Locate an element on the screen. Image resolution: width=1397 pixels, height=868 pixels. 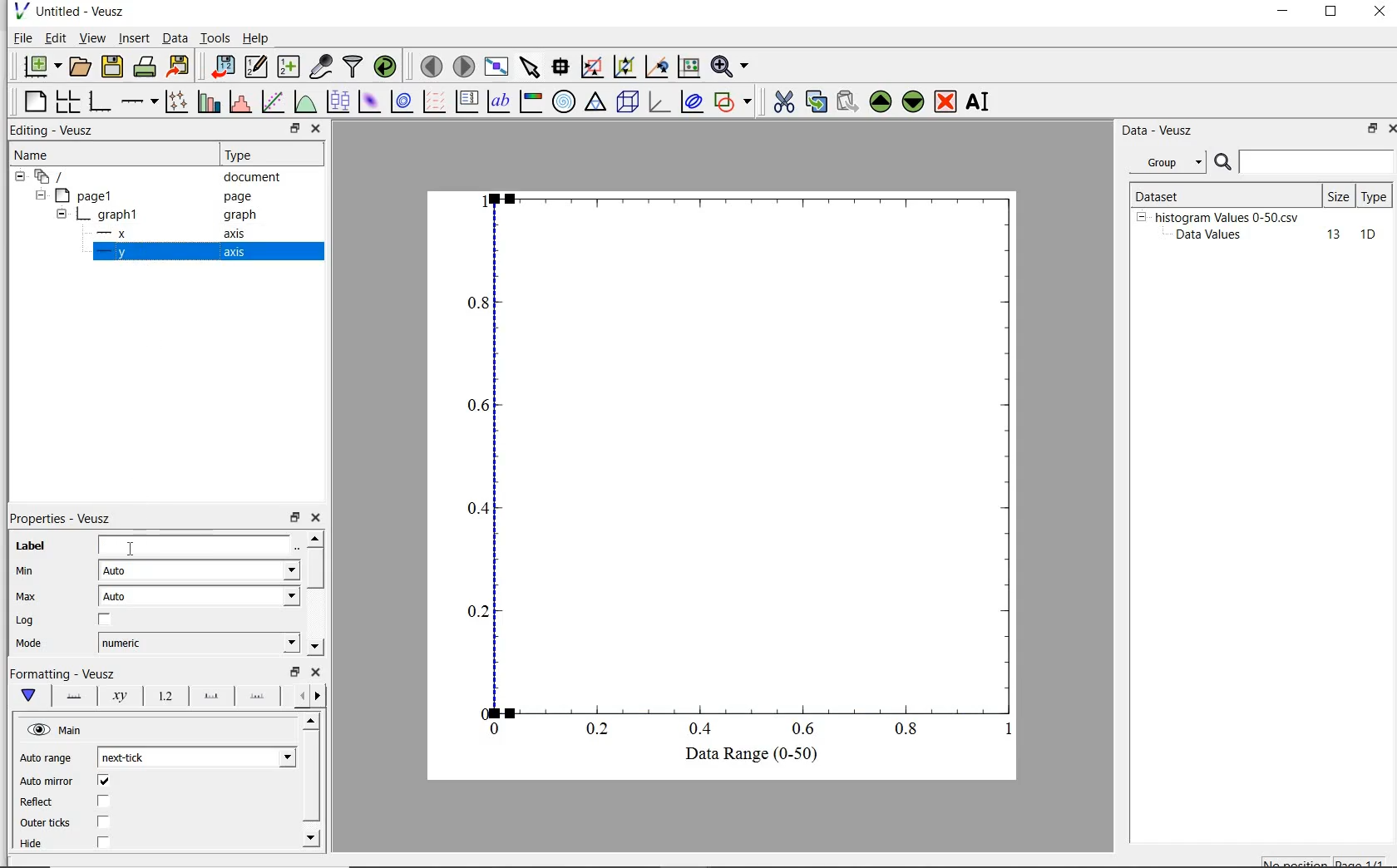
plot boxplots is located at coordinates (338, 101).